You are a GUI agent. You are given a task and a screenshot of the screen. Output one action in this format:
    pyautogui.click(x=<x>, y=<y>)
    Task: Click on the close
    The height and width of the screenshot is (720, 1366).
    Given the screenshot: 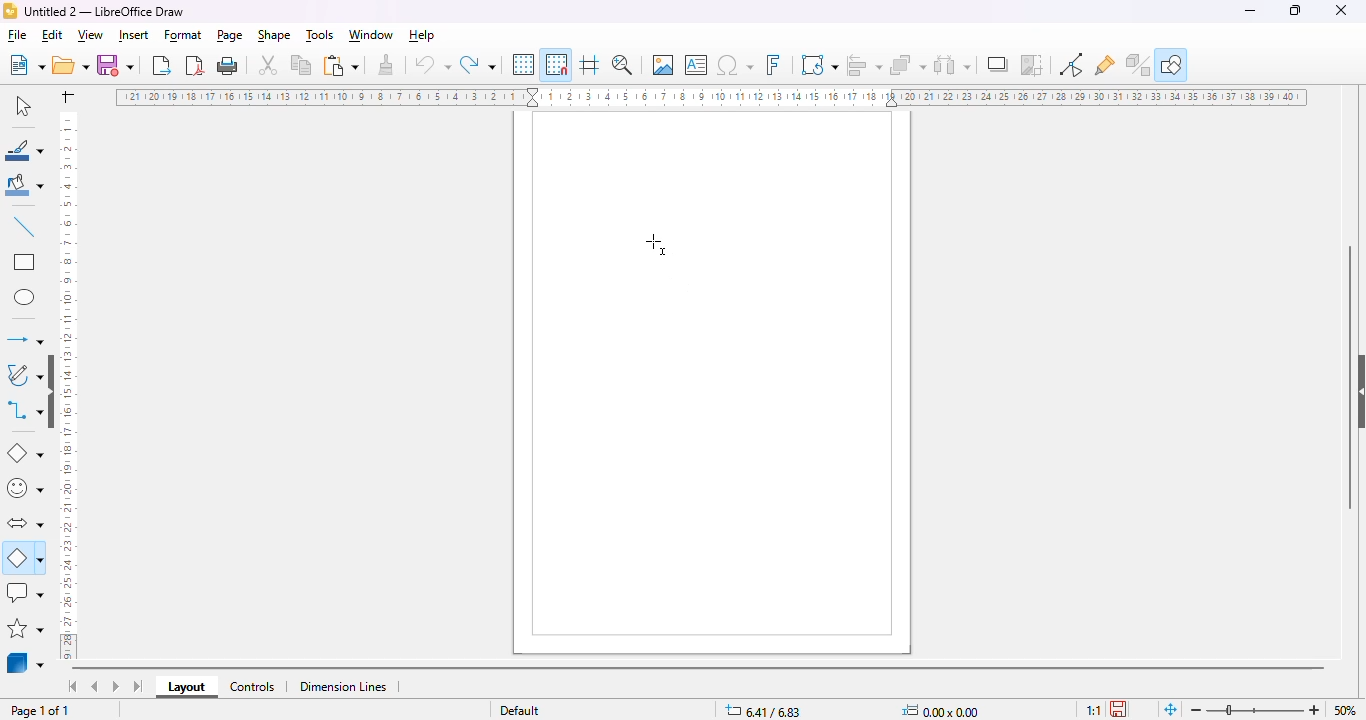 What is the action you would take?
    pyautogui.click(x=1341, y=10)
    